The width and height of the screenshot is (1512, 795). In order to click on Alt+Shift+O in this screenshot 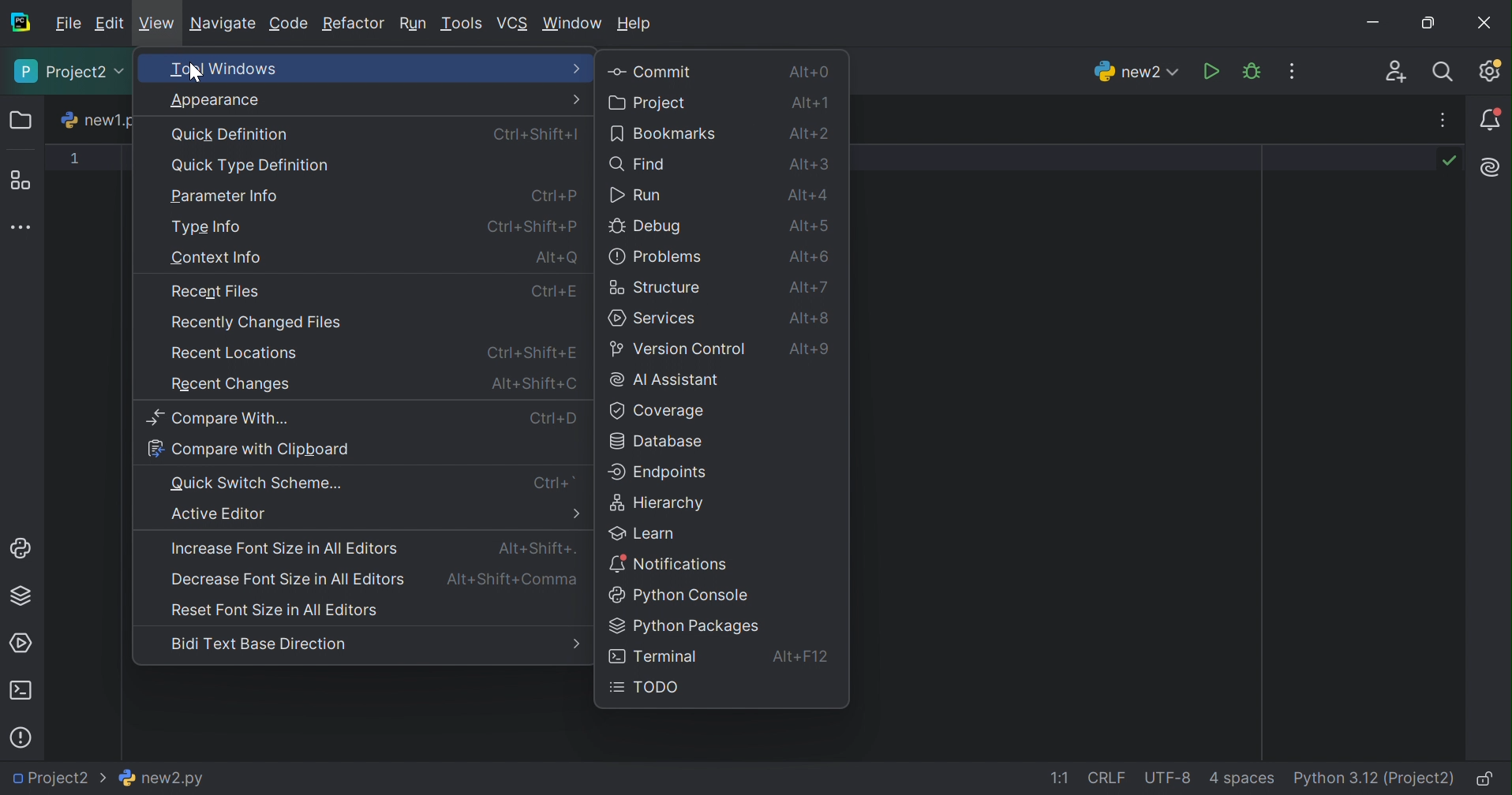, I will do `click(531, 386)`.